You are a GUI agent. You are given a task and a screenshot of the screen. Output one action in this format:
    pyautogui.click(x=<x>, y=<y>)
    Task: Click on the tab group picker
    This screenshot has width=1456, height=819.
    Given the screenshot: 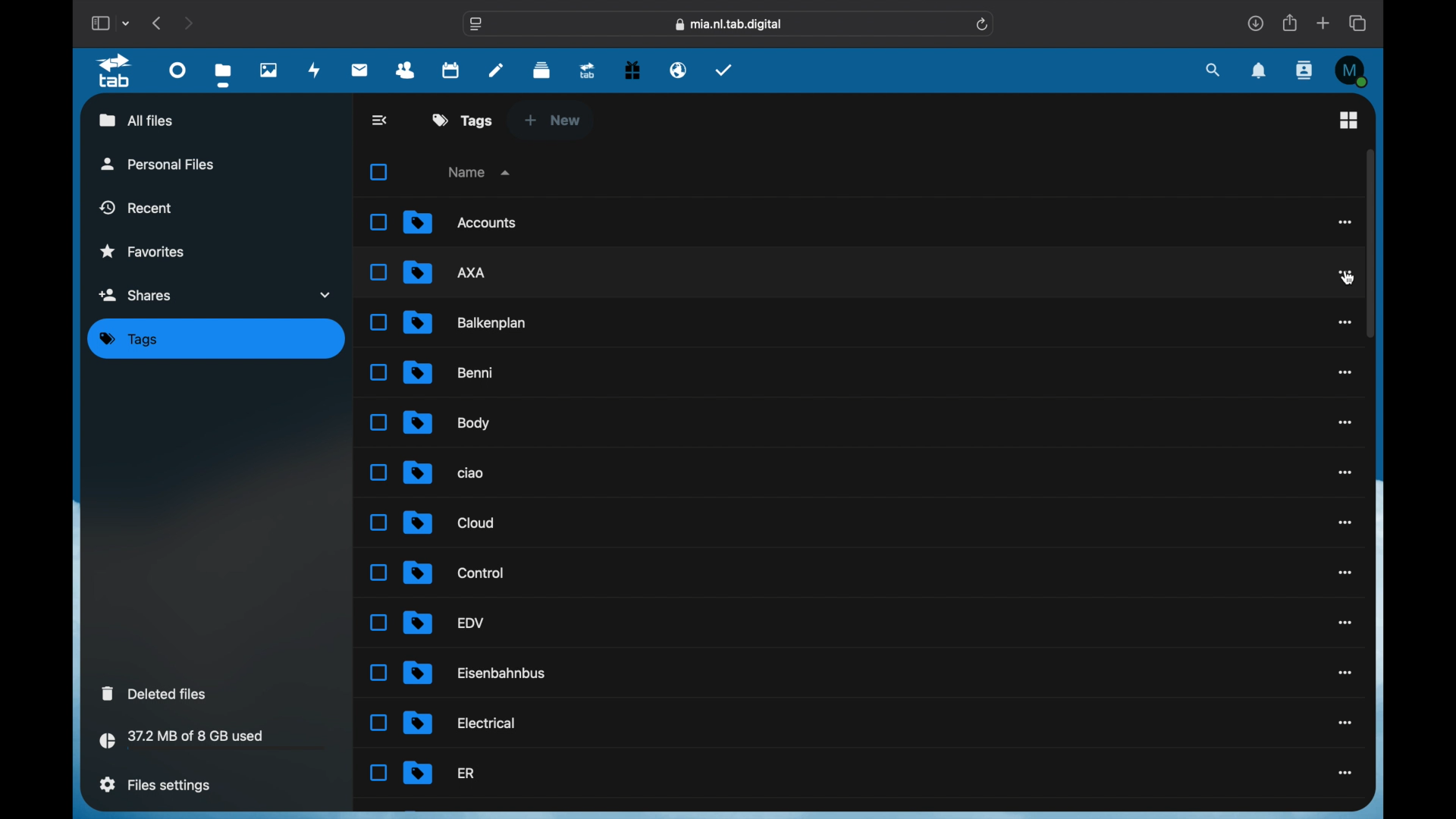 What is the action you would take?
    pyautogui.click(x=126, y=23)
    